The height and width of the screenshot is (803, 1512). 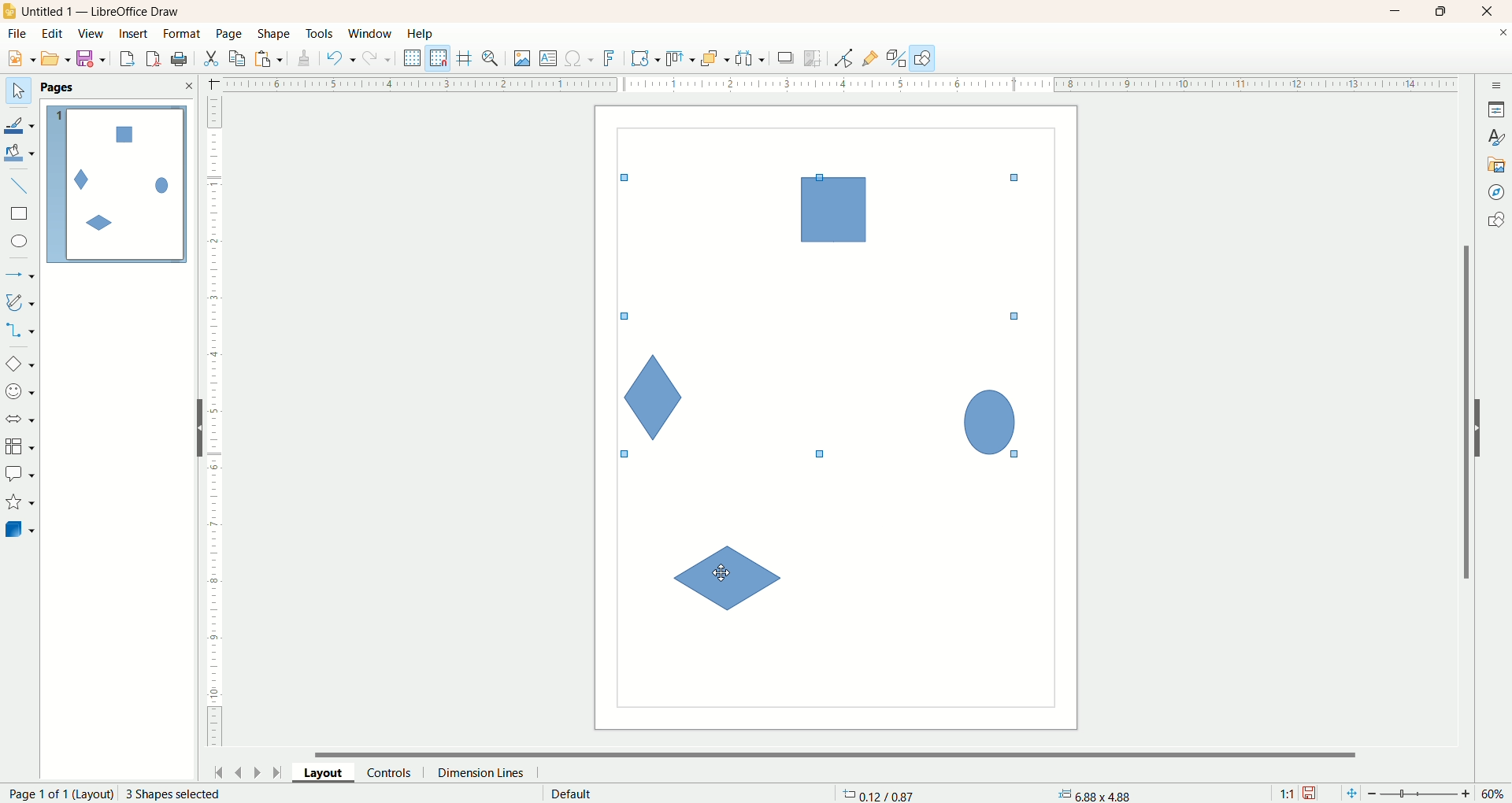 What do you see at coordinates (135, 34) in the screenshot?
I see `insert` at bounding box center [135, 34].